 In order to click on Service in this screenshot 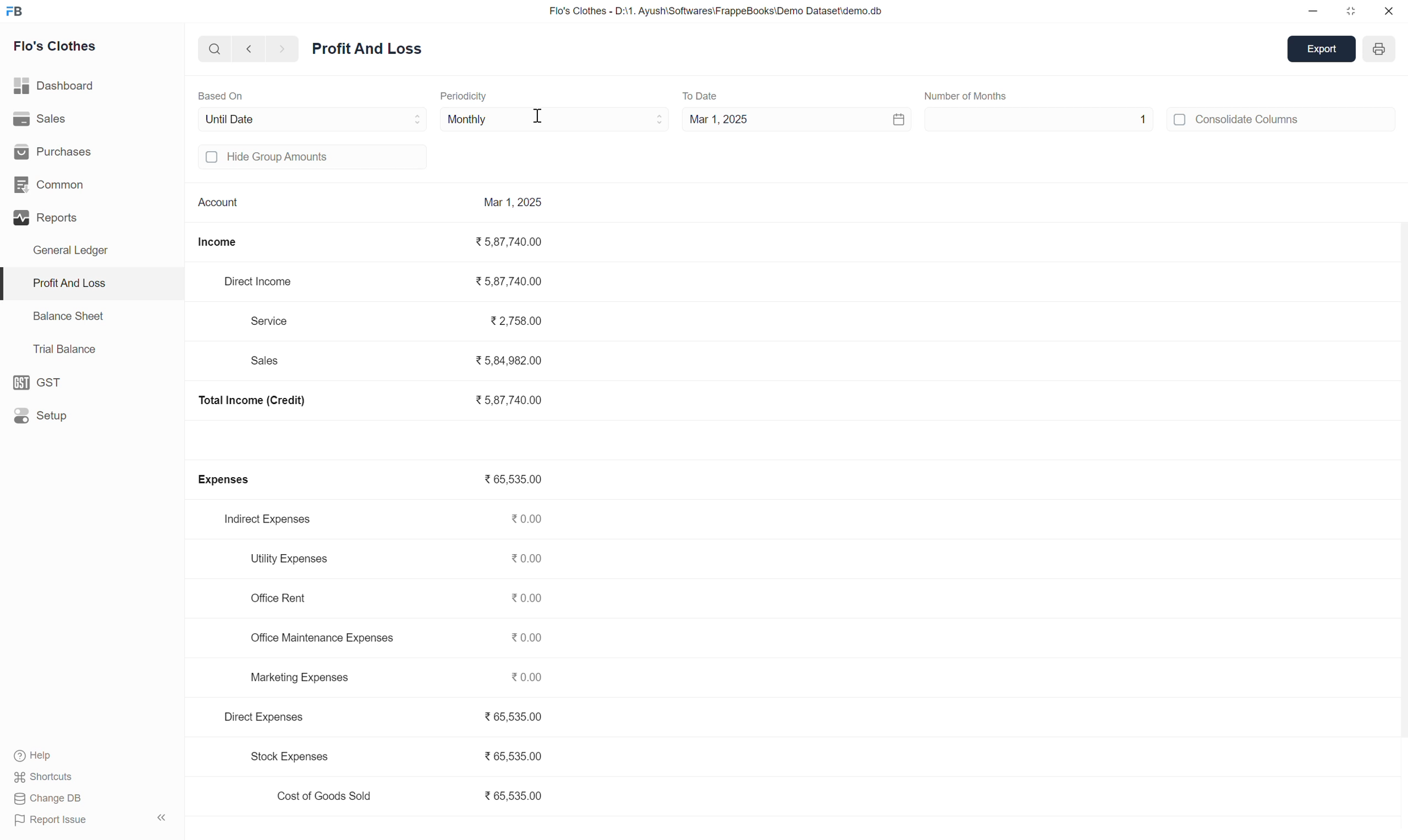, I will do `click(278, 320)`.